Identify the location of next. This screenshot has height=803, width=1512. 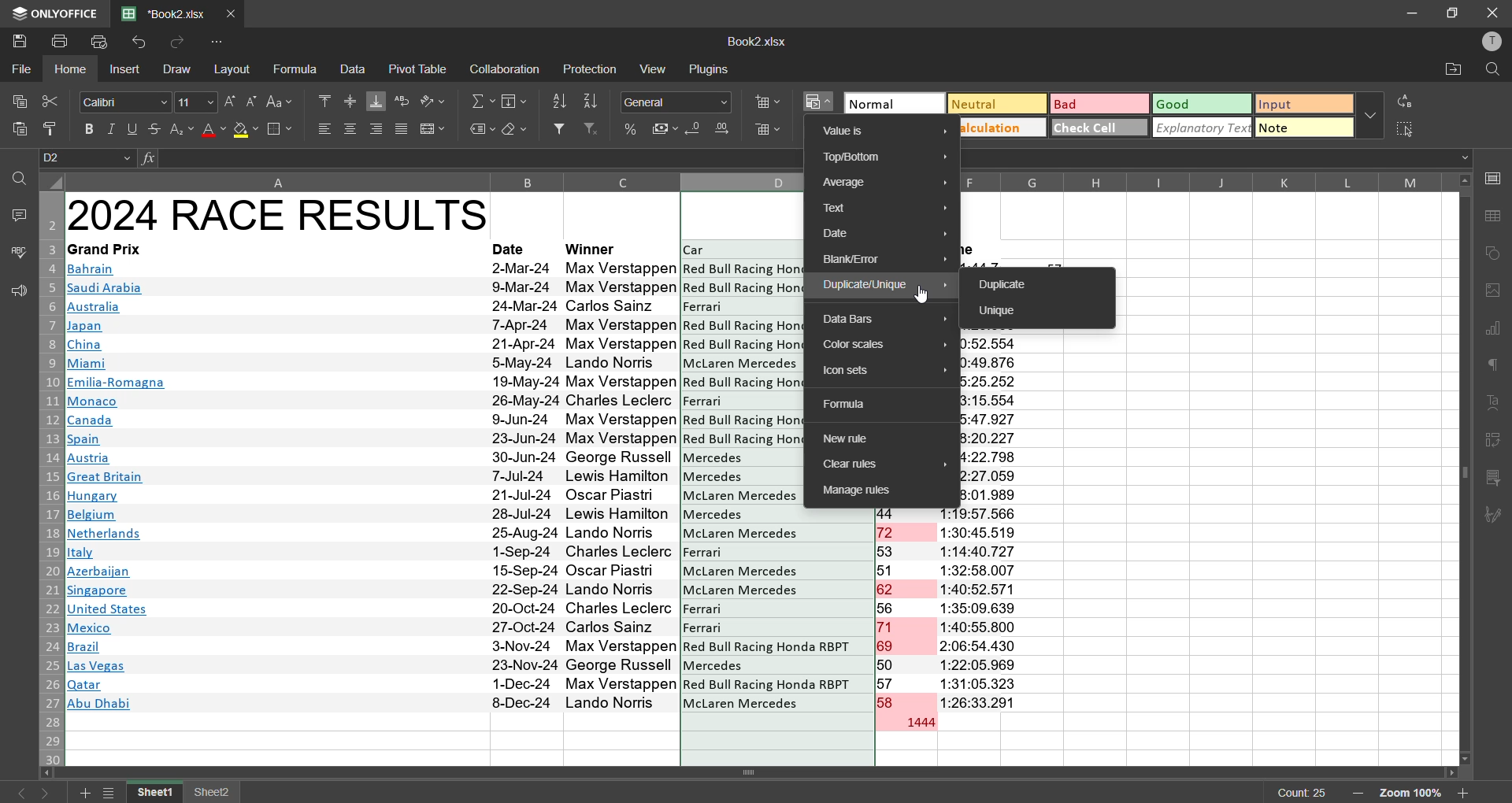
(50, 793).